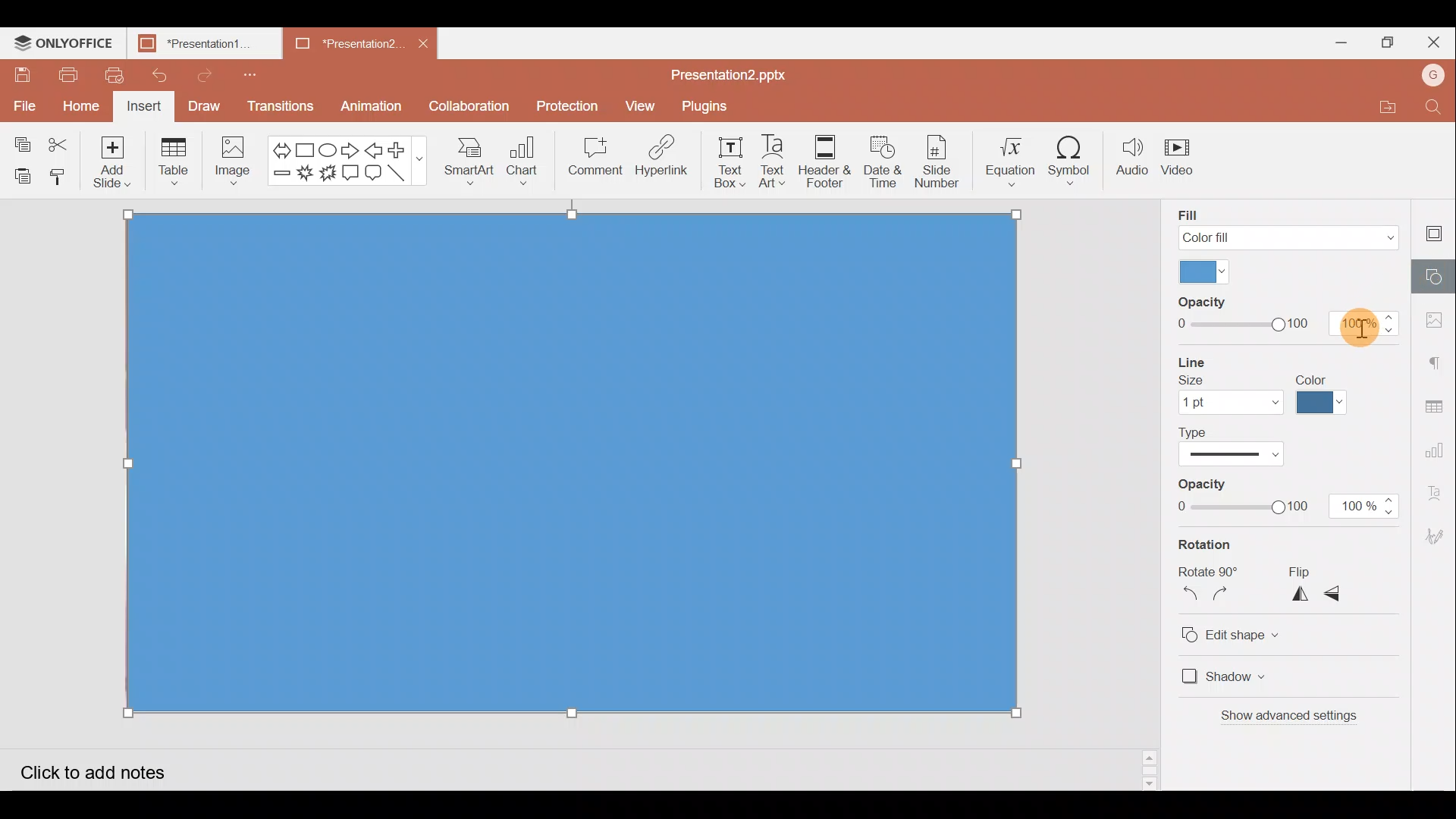  Describe the element at coordinates (1341, 595) in the screenshot. I see `Flip vertically` at that location.